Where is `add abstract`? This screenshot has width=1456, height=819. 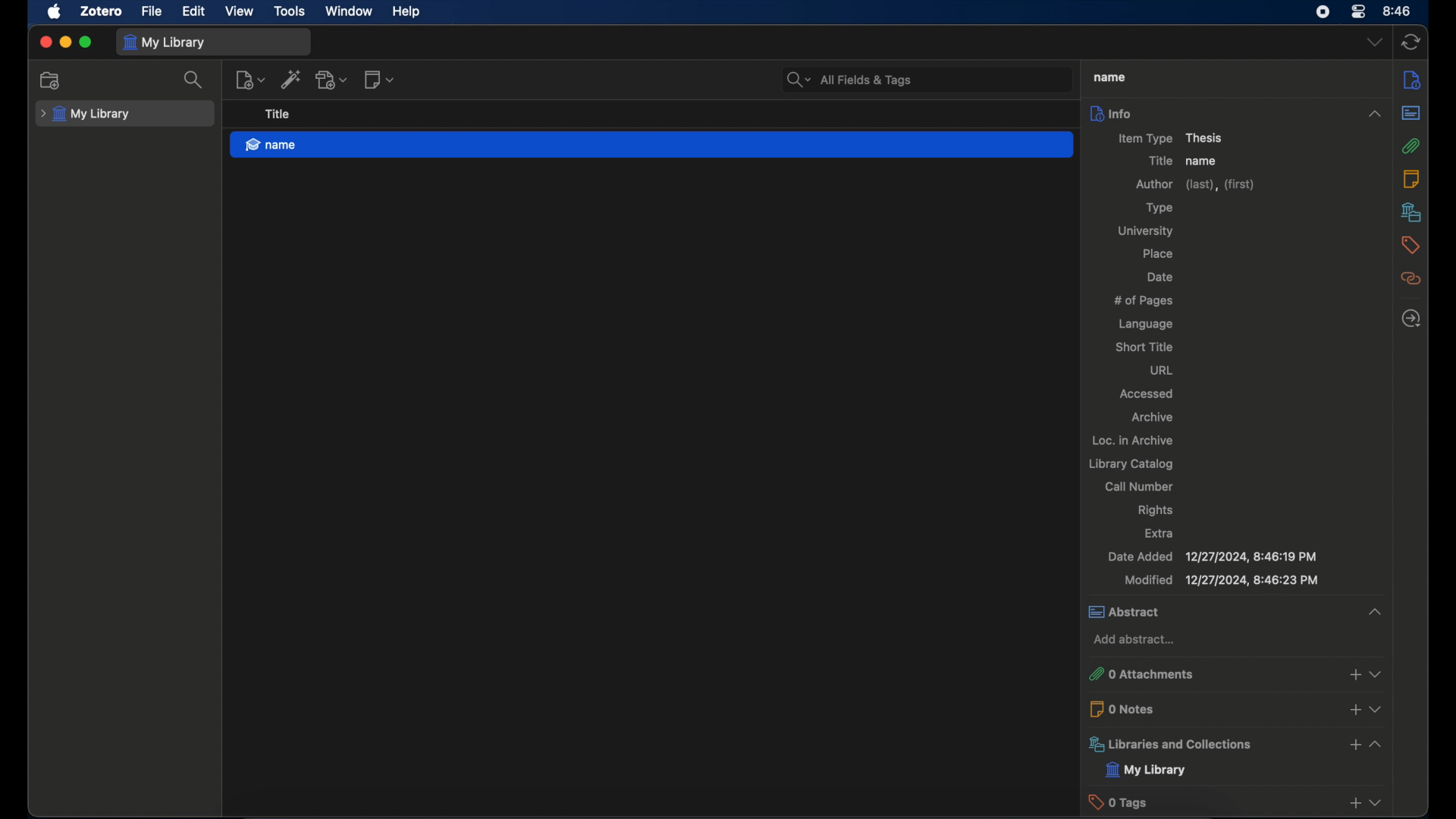 add abstract is located at coordinates (1133, 640).